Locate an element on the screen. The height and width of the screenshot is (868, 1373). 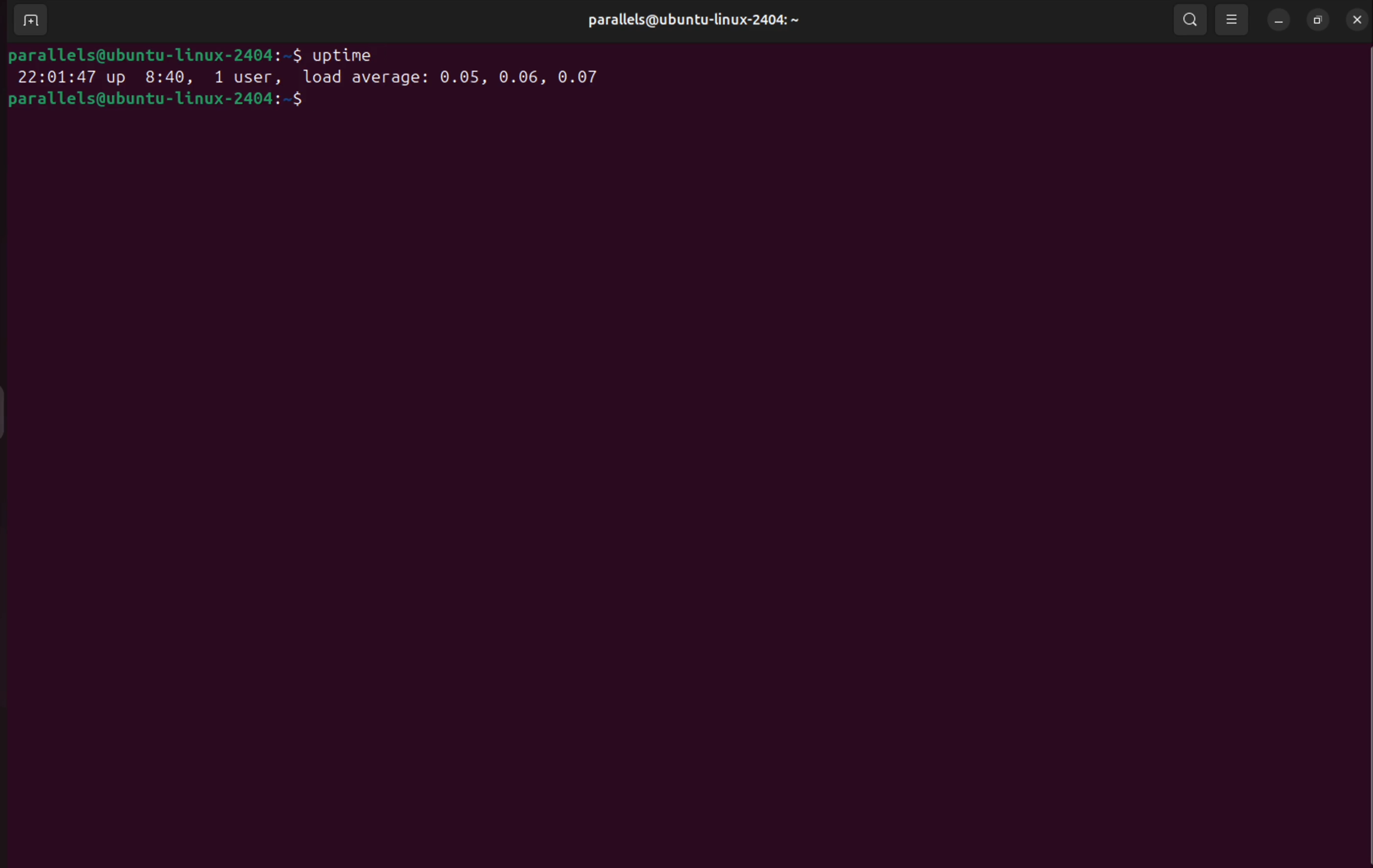
parallels@ubuntu-1linux-2404:-$ is located at coordinates (155, 54).